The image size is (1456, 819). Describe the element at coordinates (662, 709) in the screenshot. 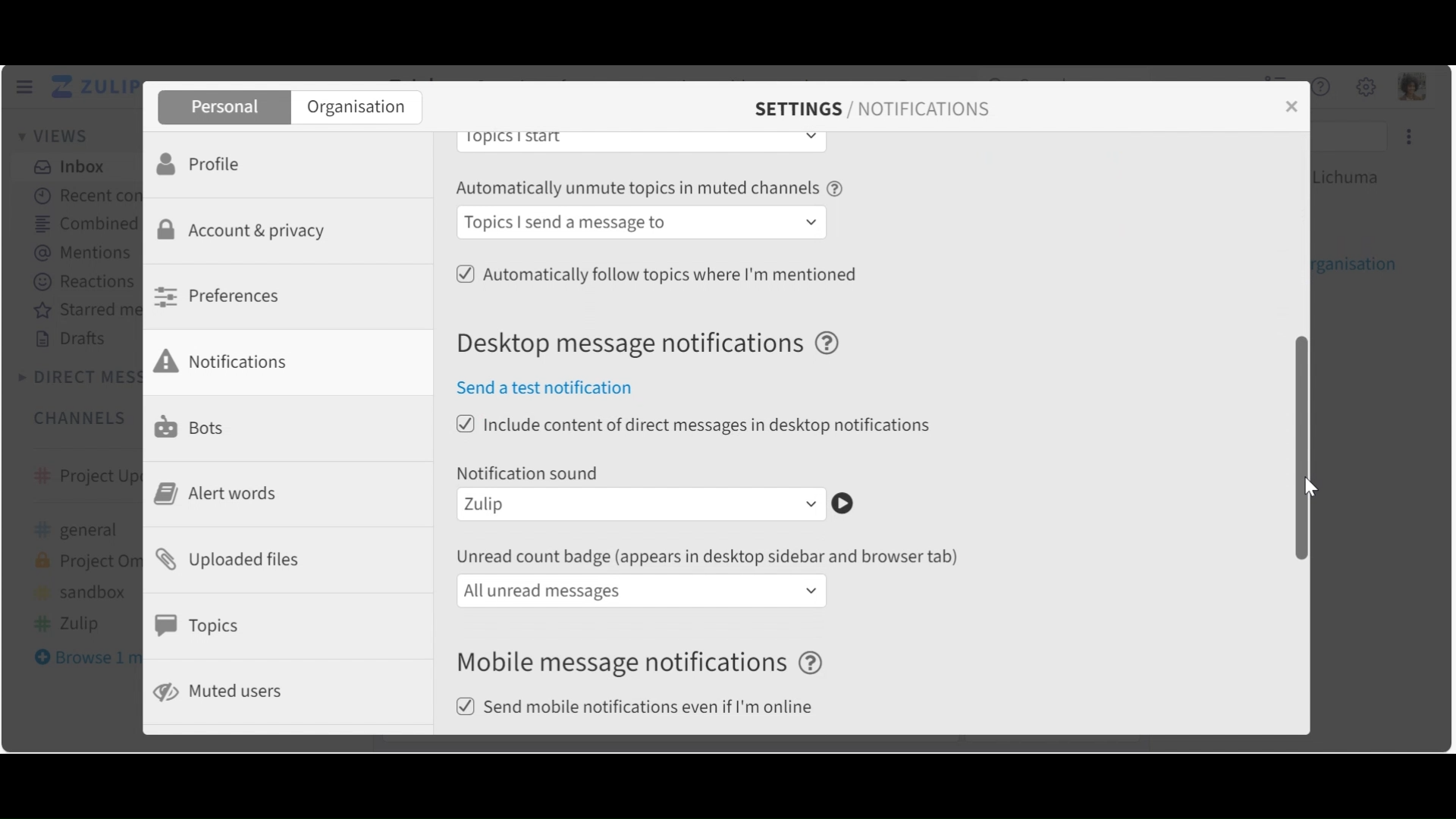

I see `(un)select send mobile notification even if I am online` at that location.